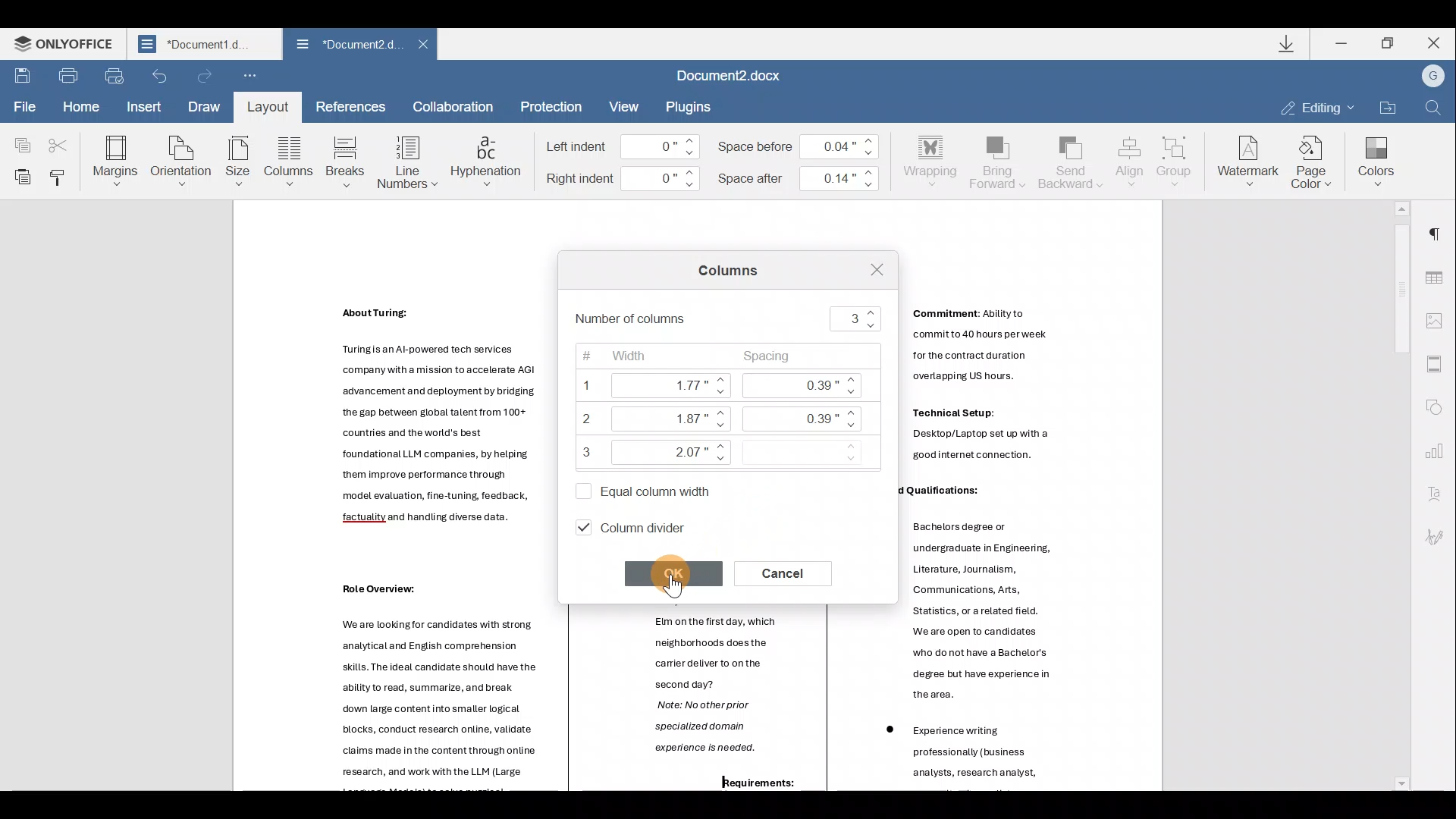  I want to click on Header & footer settings, so click(1438, 368).